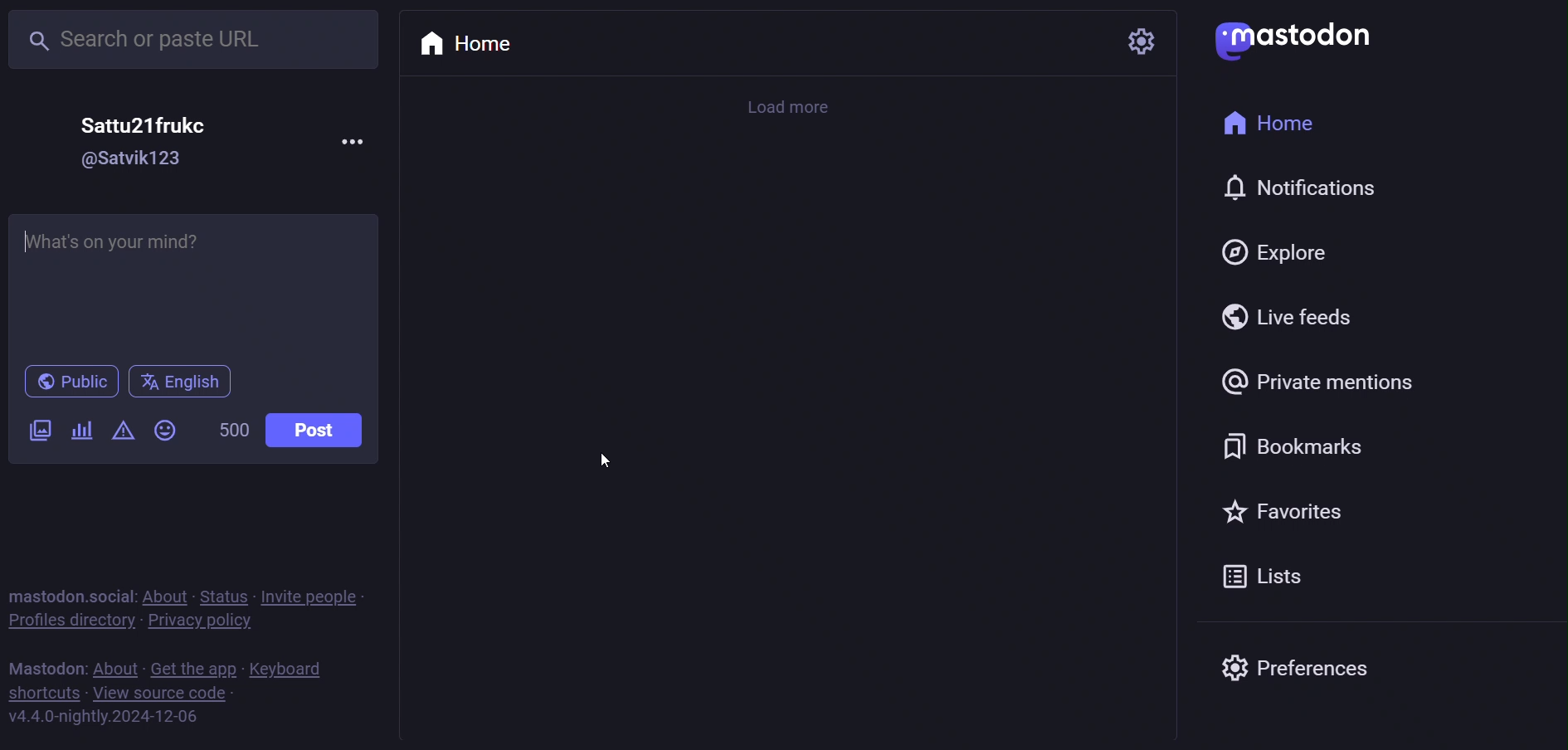 The image size is (1568, 750). I want to click on images/videos, so click(36, 431).